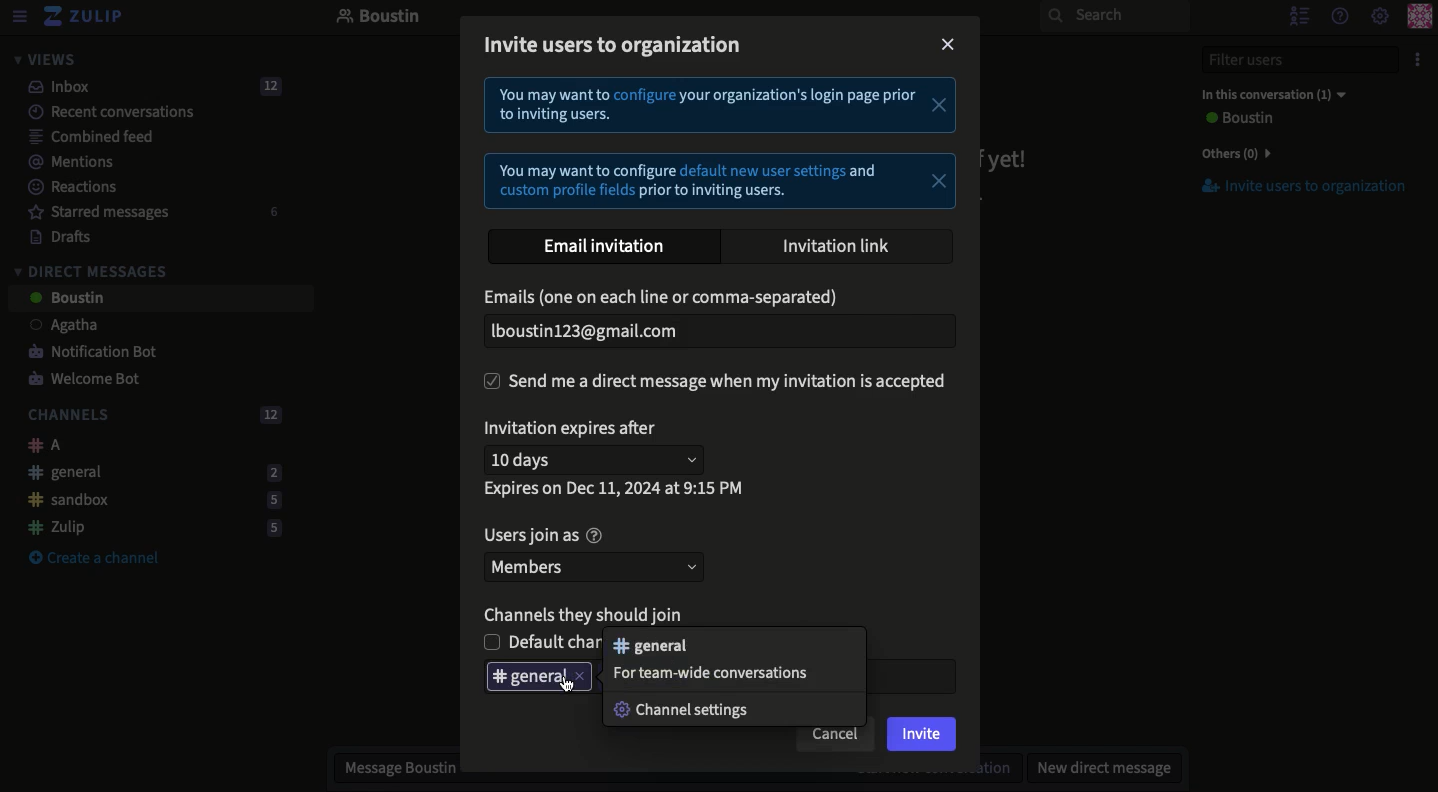  I want to click on cursor, so click(571, 689).